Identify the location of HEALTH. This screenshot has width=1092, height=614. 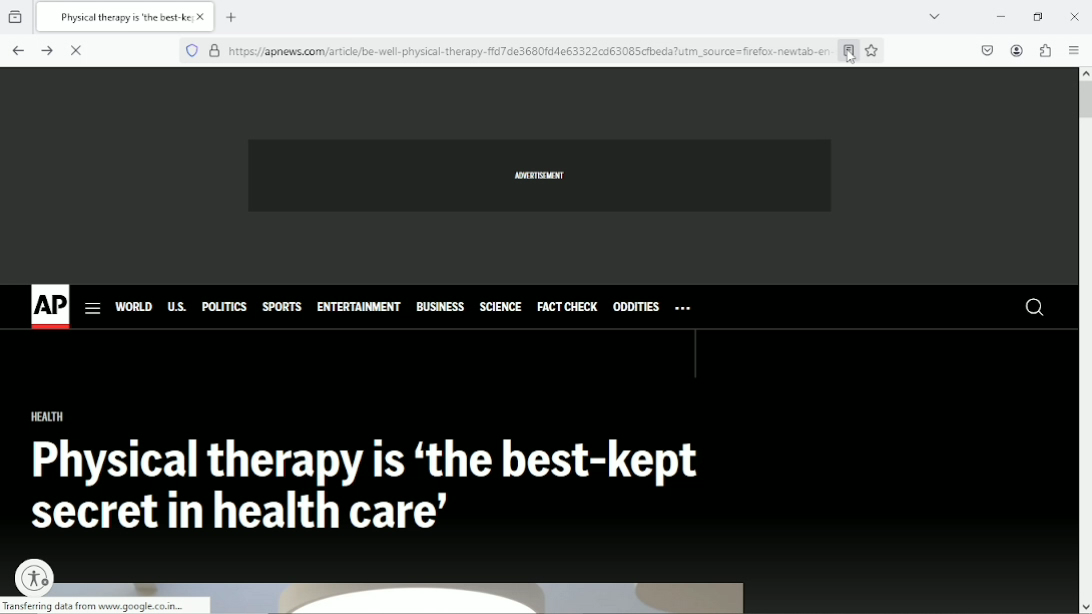
(45, 418).